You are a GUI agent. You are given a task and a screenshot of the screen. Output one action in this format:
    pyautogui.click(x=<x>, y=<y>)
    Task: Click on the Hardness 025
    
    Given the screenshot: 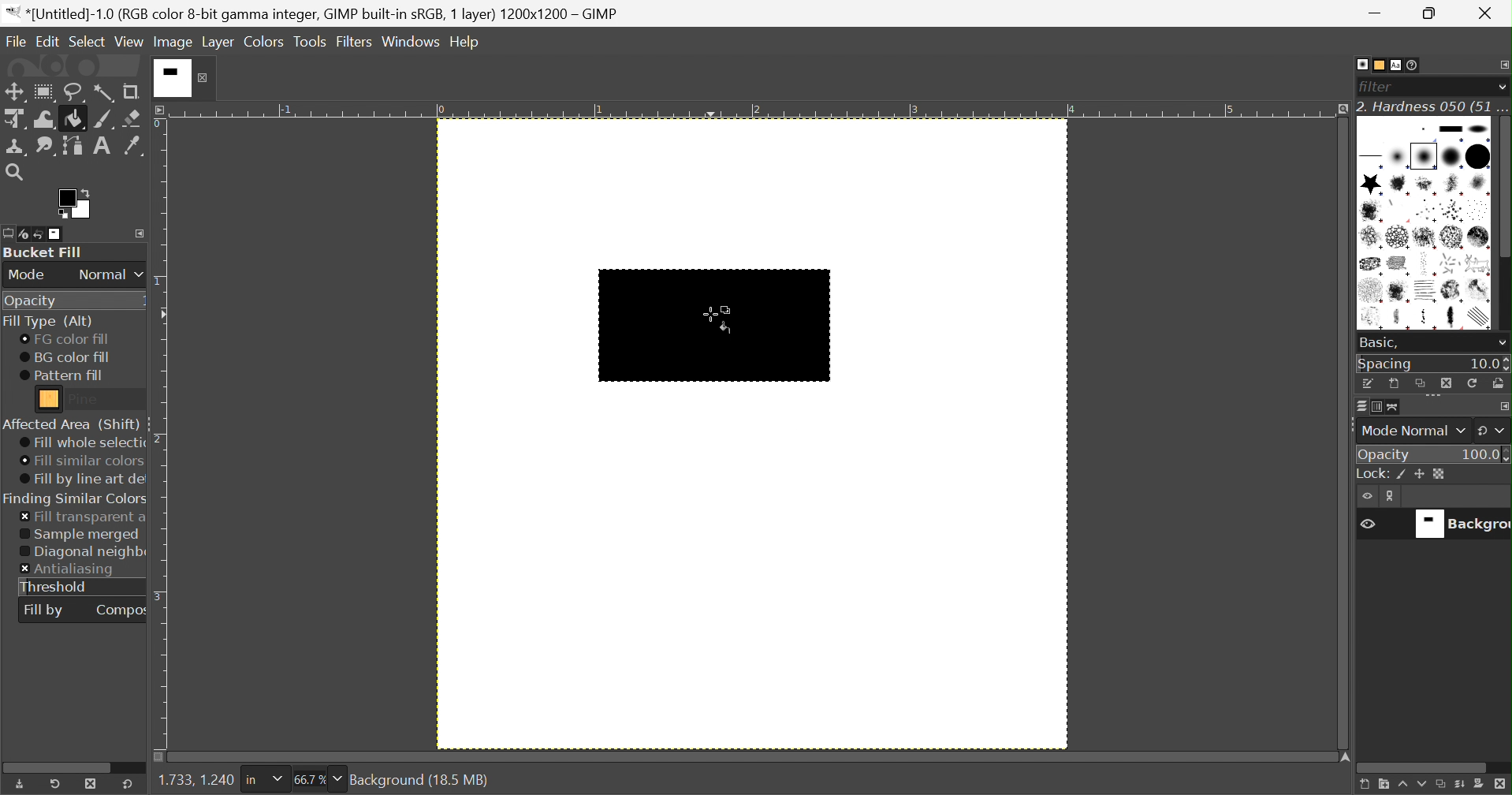 What is the action you would take?
    pyautogui.click(x=1398, y=157)
    